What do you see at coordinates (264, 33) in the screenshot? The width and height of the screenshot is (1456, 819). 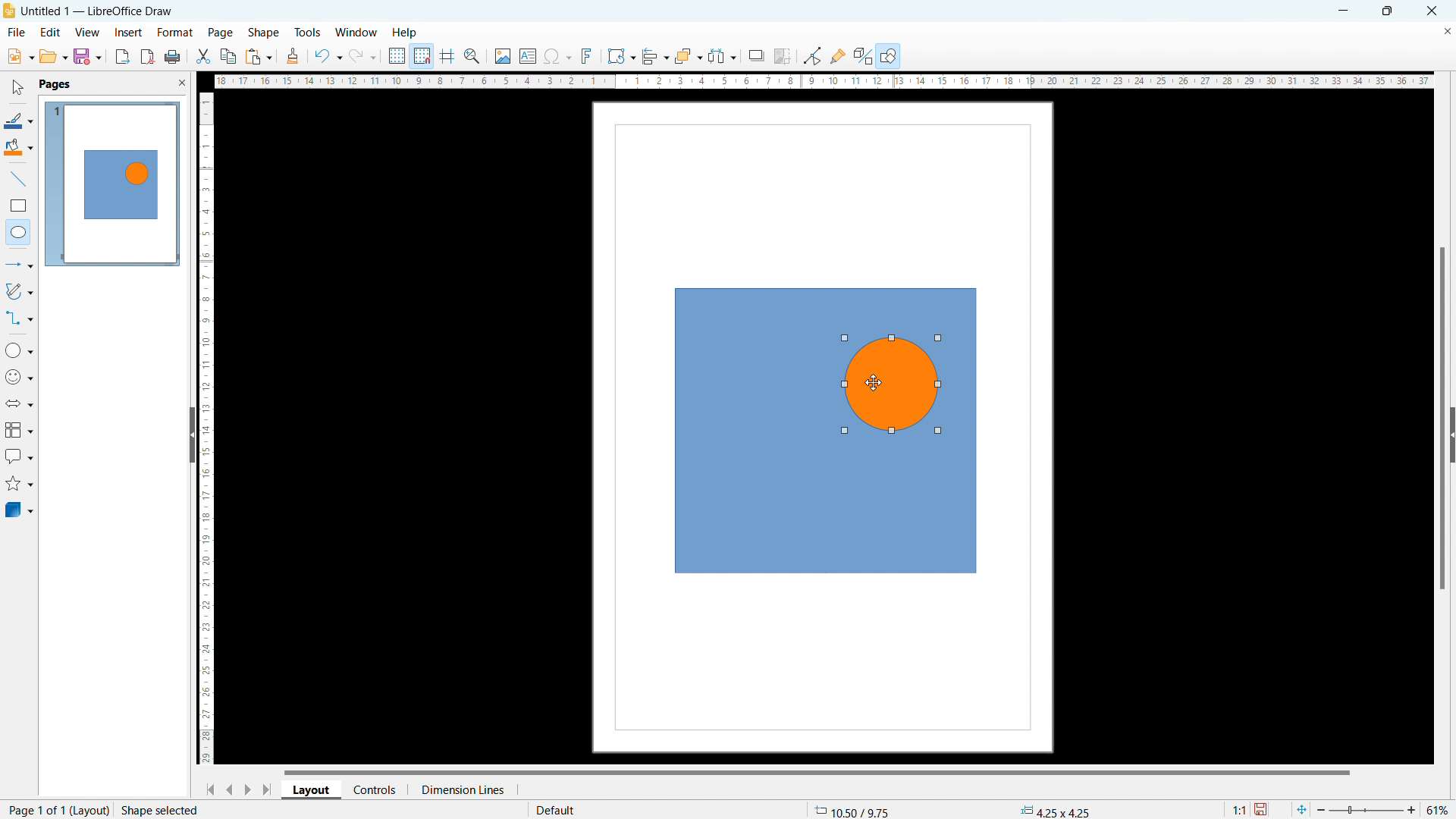 I see `shape` at bounding box center [264, 33].